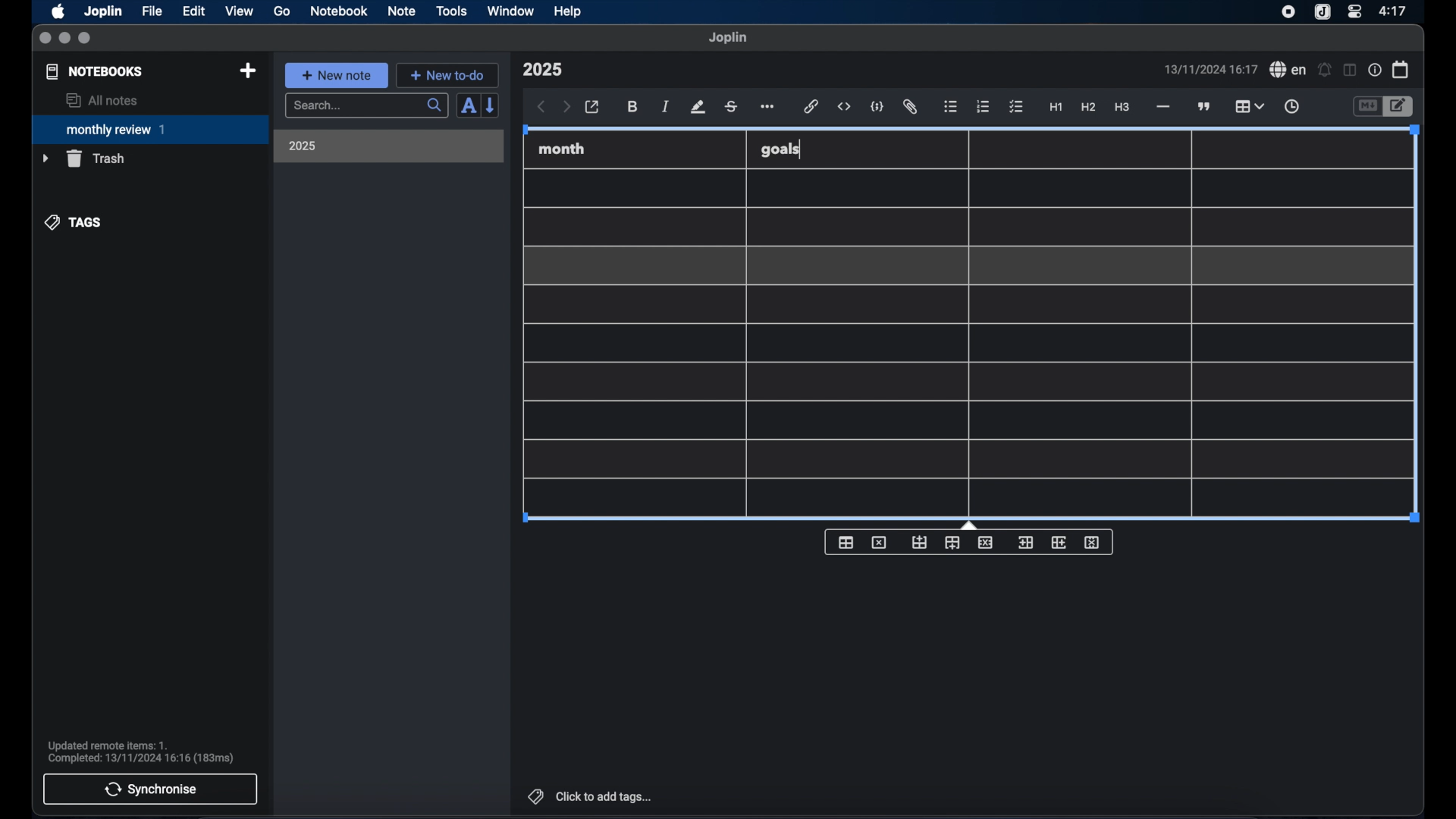 The image size is (1456, 819). I want to click on note title, so click(542, 70).